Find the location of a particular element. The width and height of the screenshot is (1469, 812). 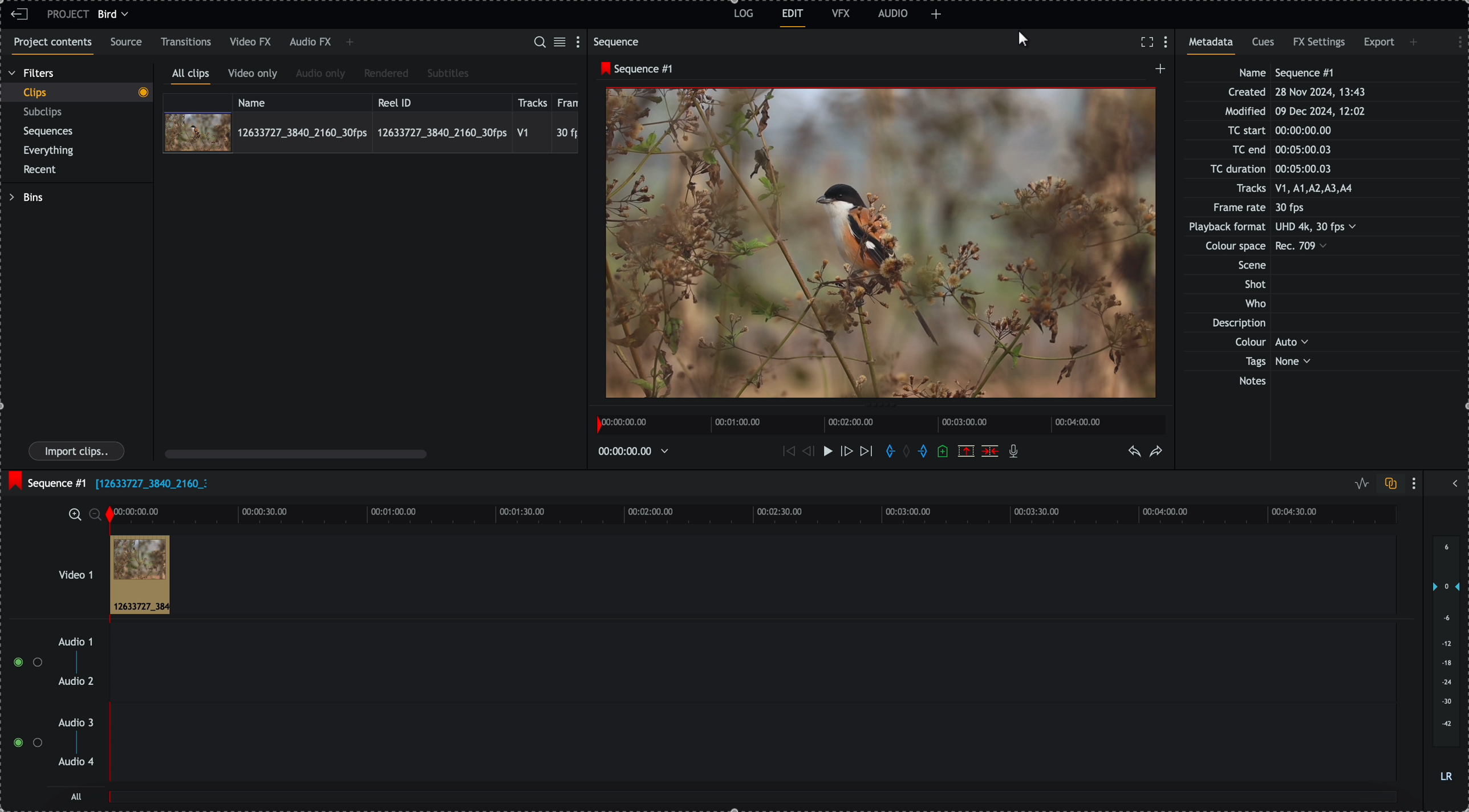

toggle between list and tile view is located at coordinates (562, 43).